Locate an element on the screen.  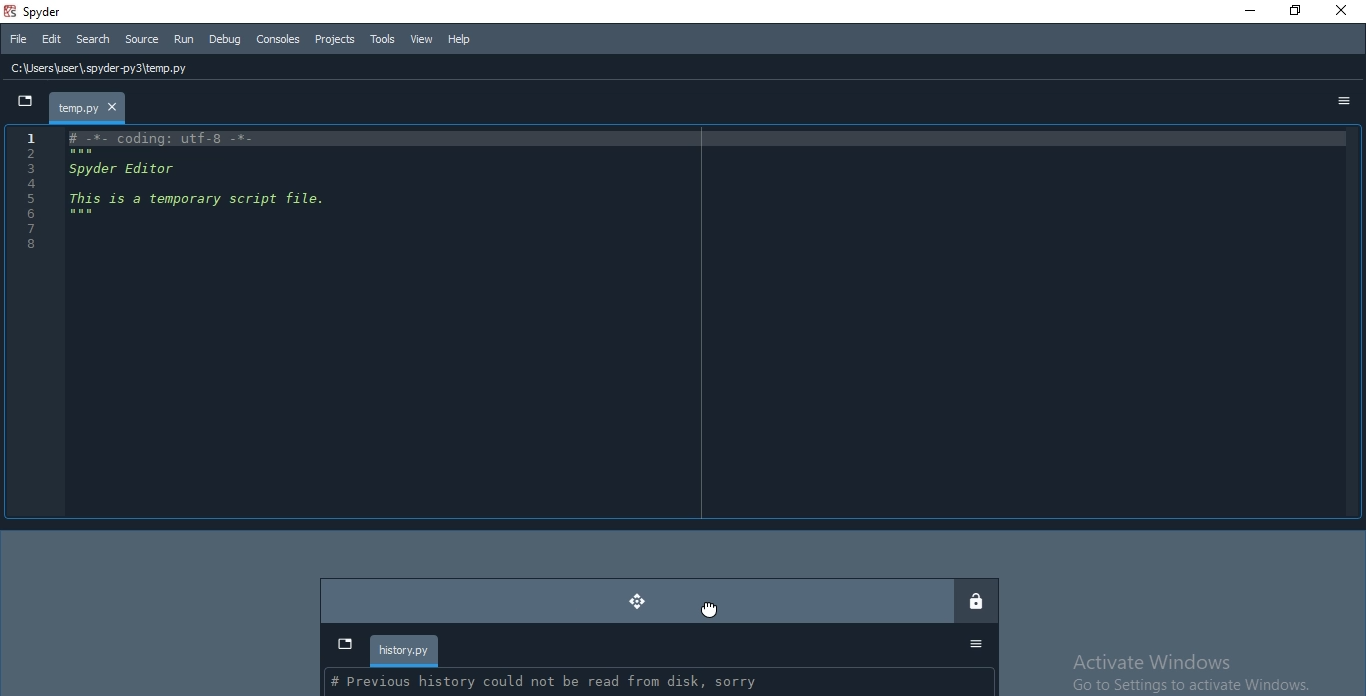
Tools is located at coordinates (383, 38).